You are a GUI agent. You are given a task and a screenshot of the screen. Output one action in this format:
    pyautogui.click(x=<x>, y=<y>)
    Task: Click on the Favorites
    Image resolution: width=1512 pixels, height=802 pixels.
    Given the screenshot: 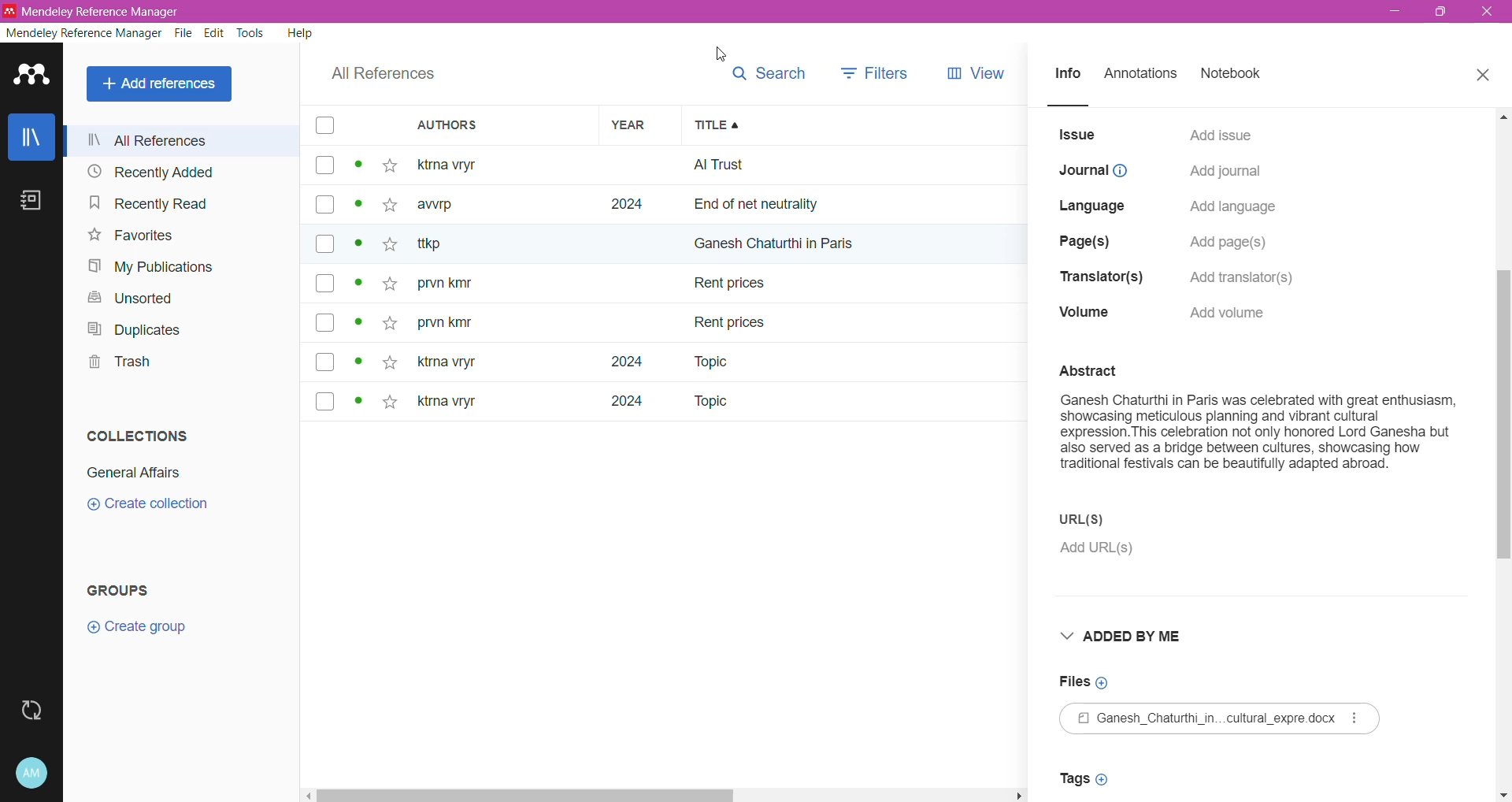 What is the action you would take?
    pyautogui.click(x=130, y=236)
    